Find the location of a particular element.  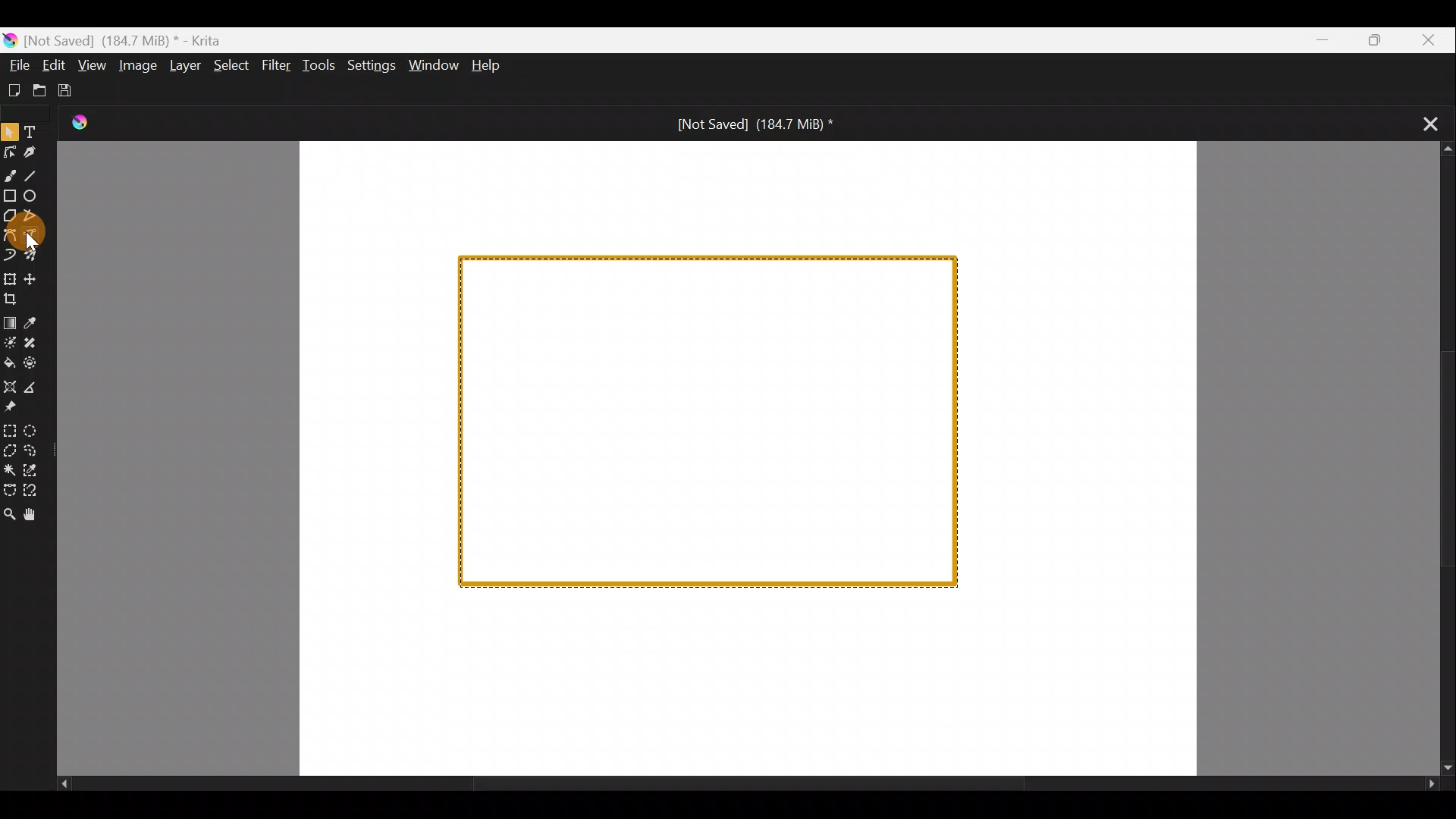

Dynamic brush tool is located at coordinates (10, 256).